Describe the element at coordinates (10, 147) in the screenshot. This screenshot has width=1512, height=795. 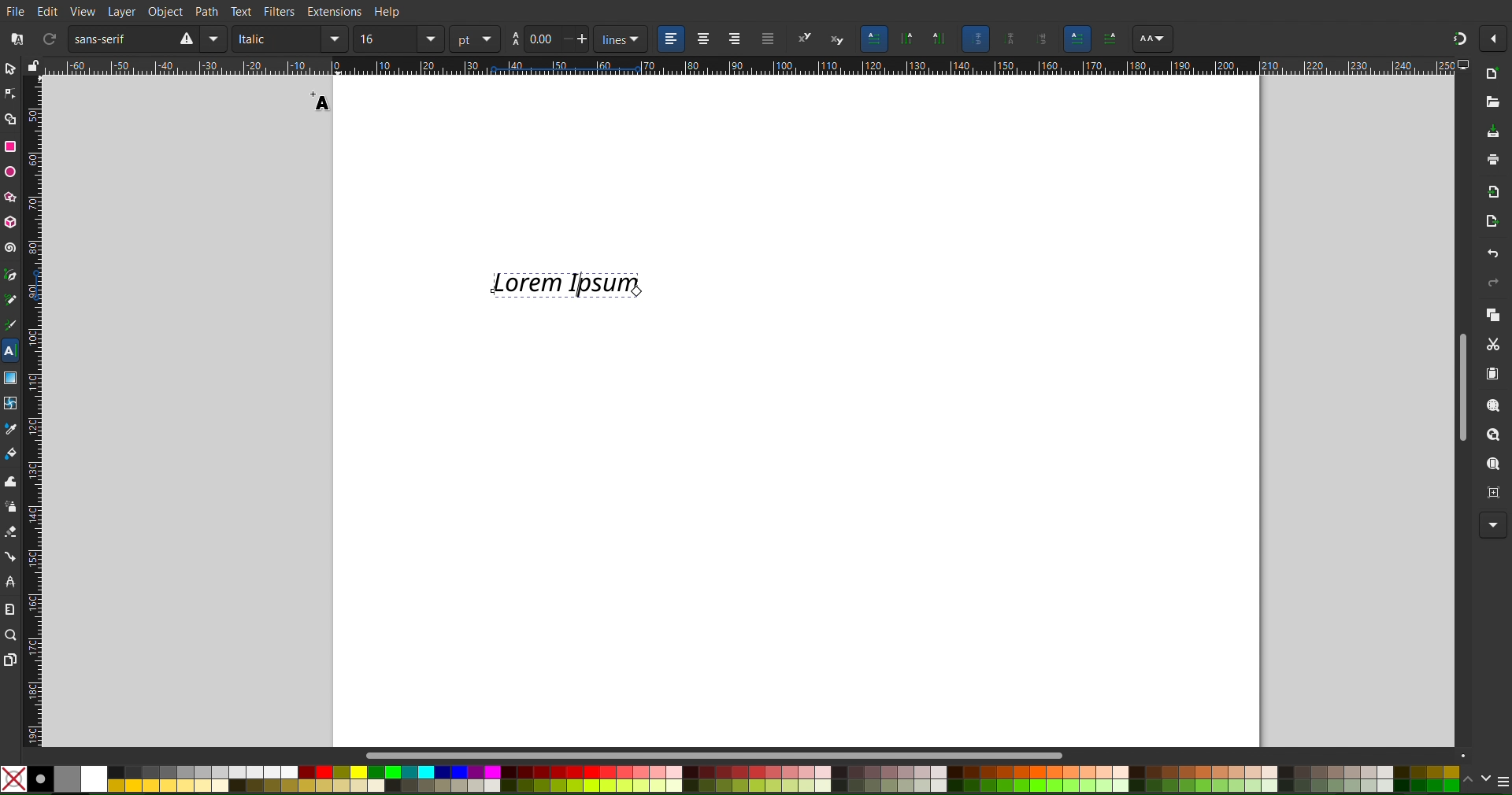
I see `Rectangle` at that location.